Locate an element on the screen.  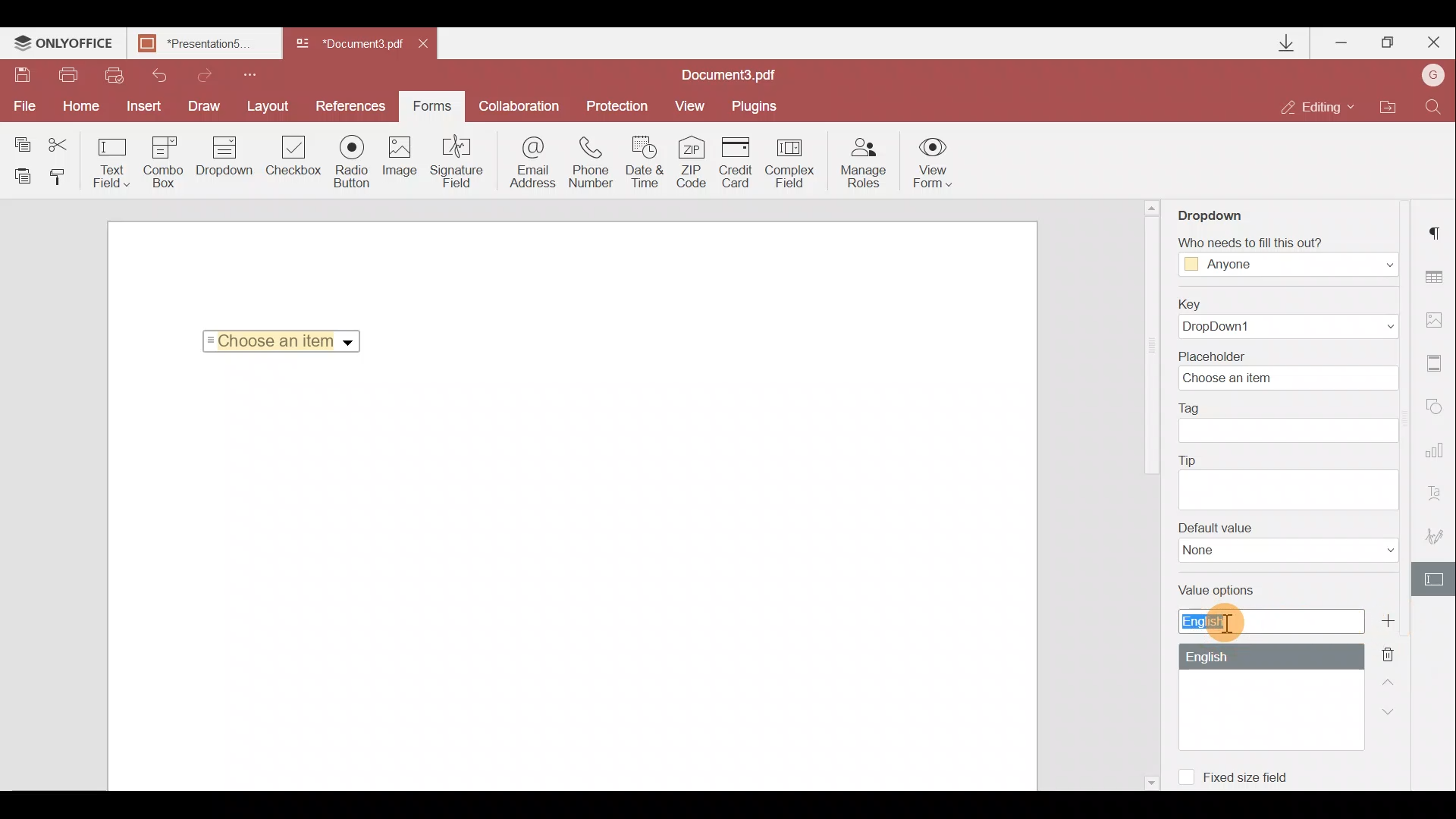
Copy style is located at coordinates (62, 176).